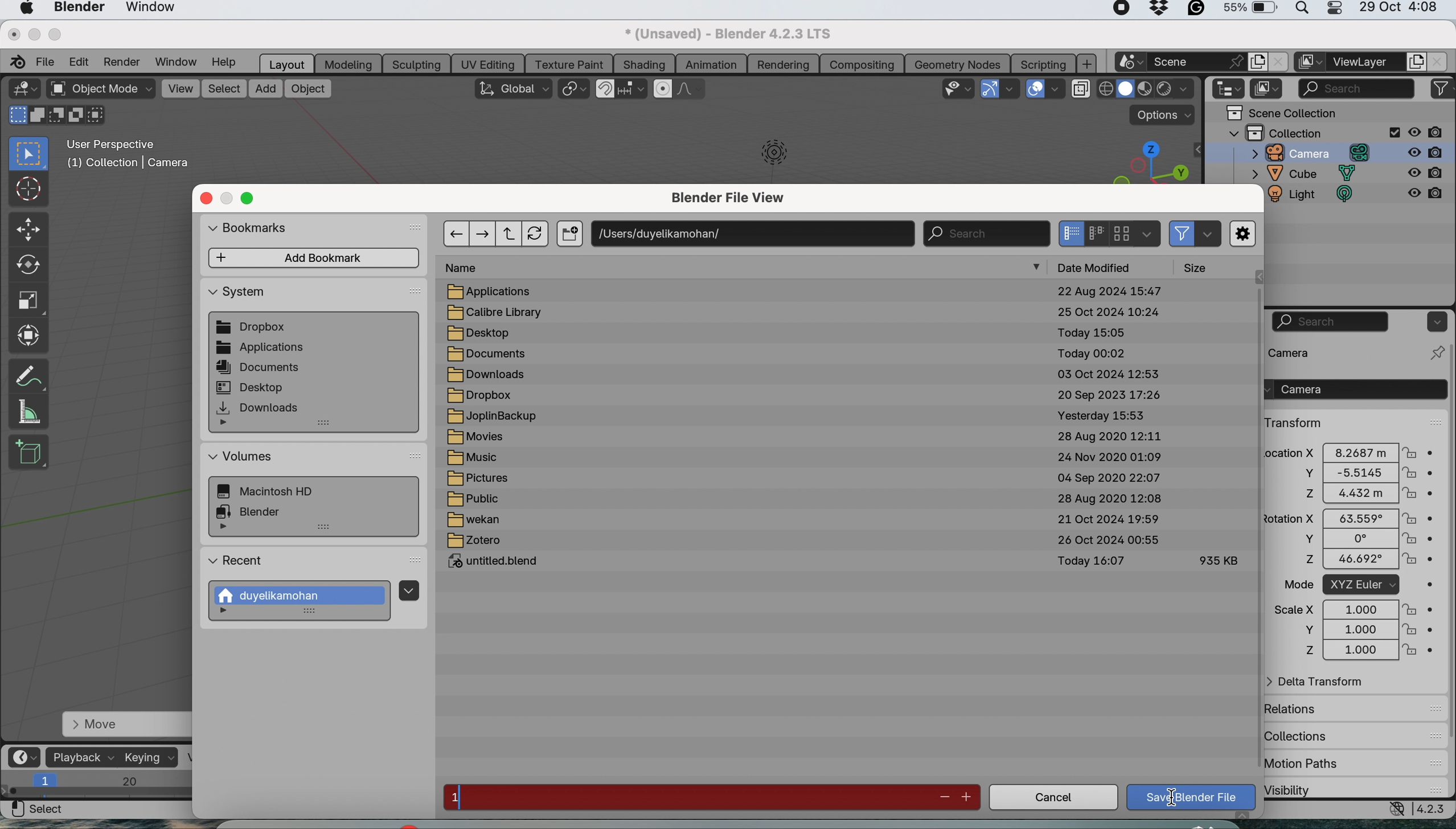  I want to click on Location x 8.2687, so click(1345, 451).